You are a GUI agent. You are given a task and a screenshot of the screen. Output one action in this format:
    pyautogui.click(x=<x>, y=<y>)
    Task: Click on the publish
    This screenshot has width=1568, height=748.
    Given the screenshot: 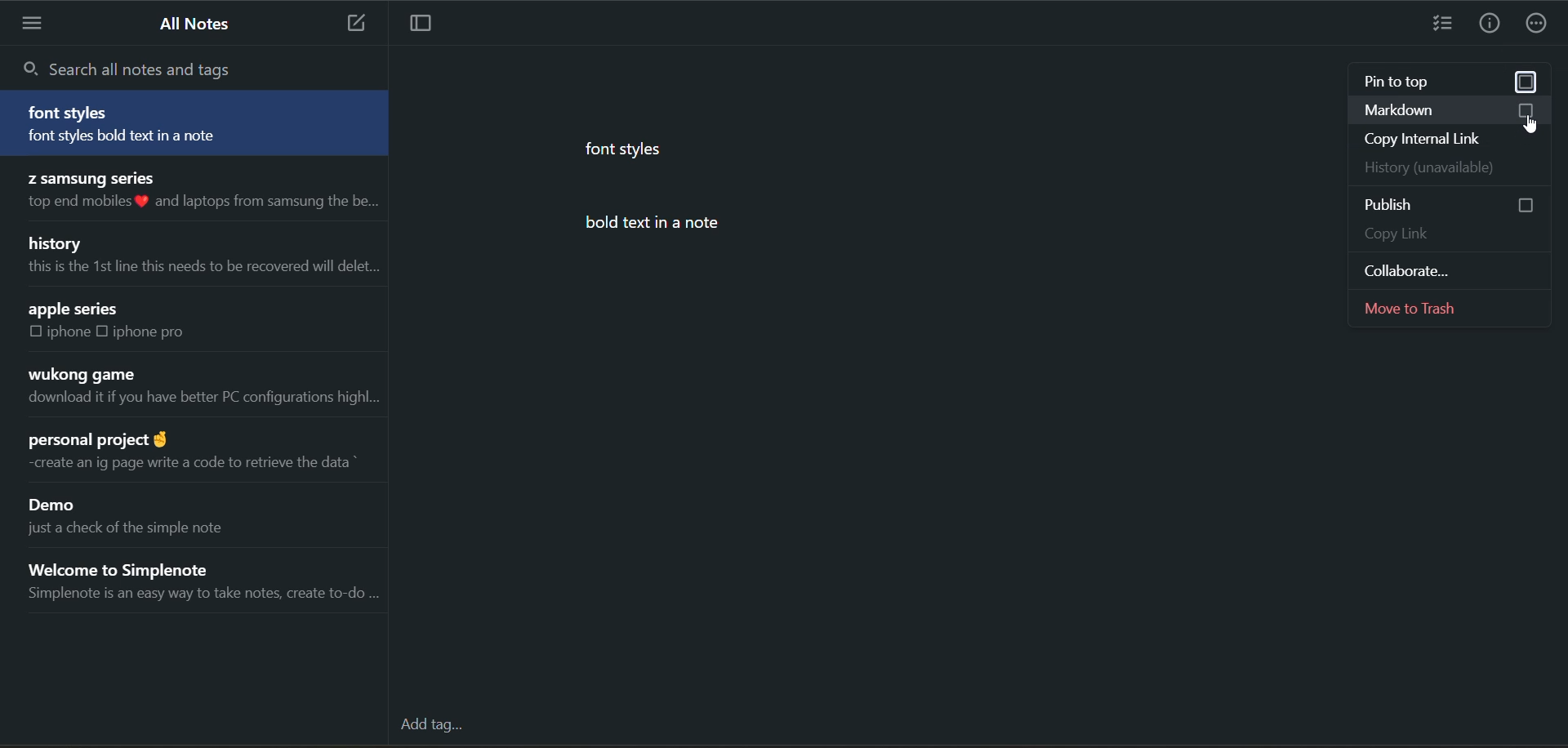 What is the action you would take?
    pyautogui.click(x=1404, y=207)
    